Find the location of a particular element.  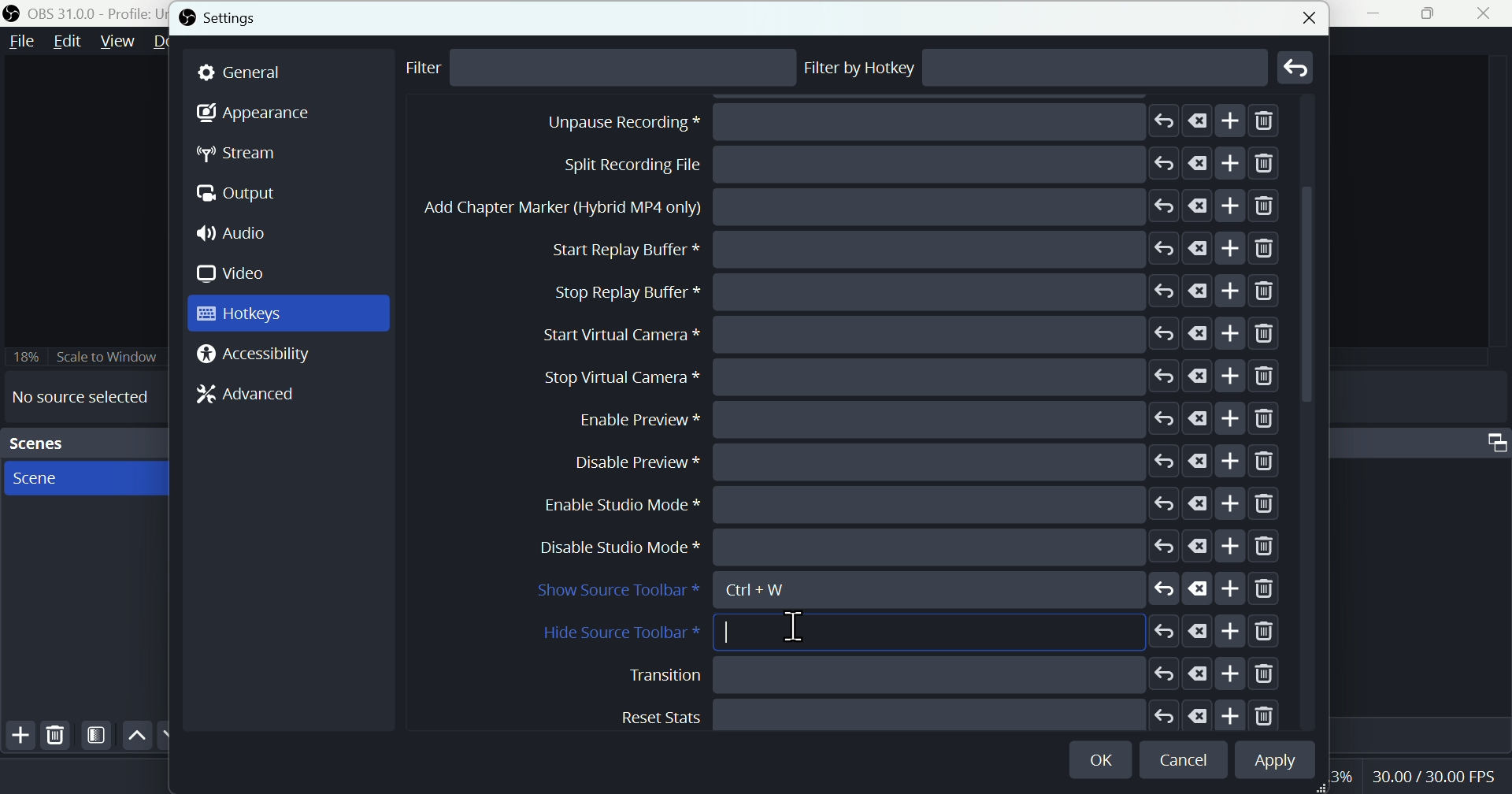

Audio mixer is located at coordinates (1493, 439).